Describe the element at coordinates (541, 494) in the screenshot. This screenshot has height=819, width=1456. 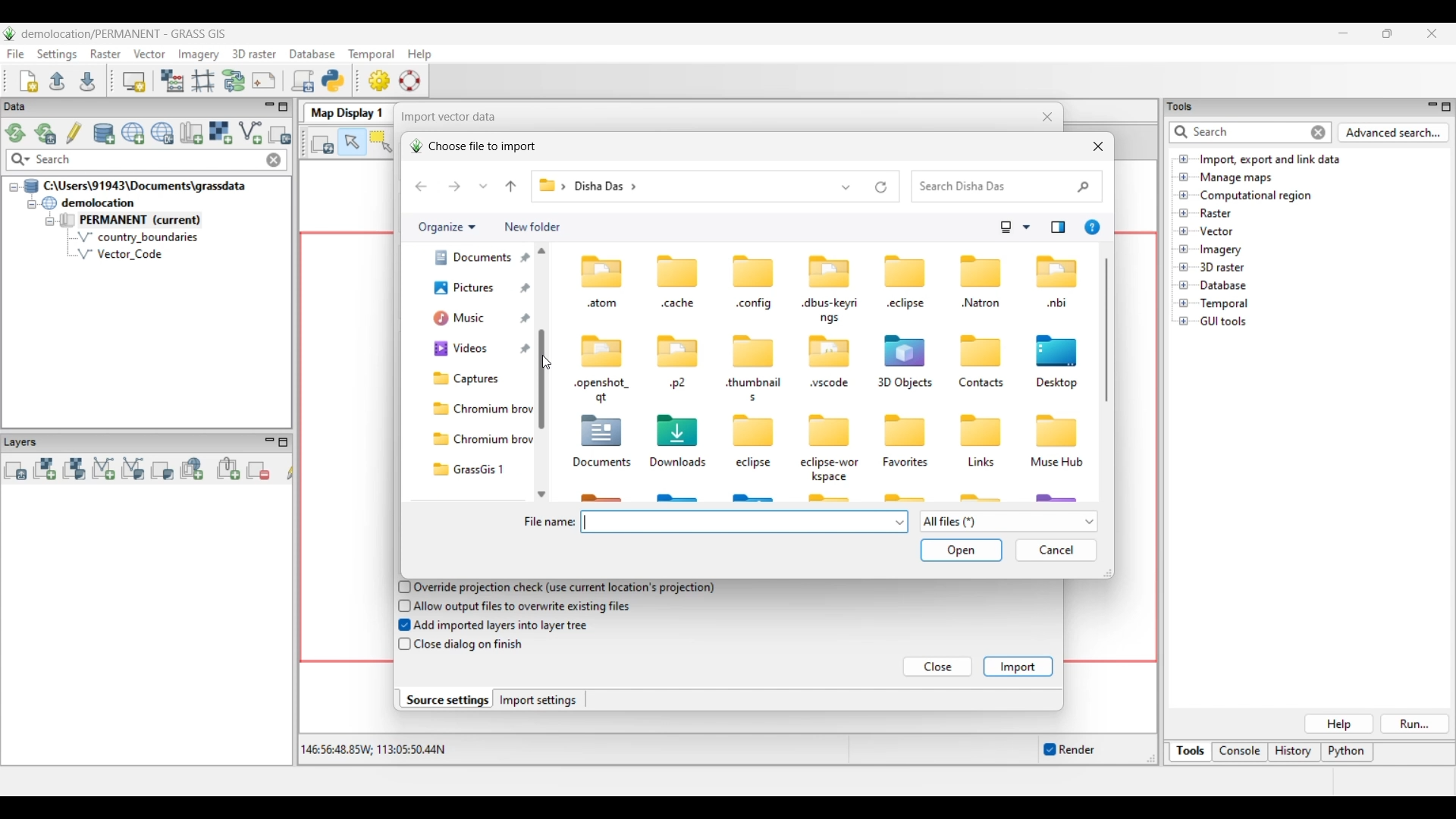
I see `Quick slide to bottom` at that location.